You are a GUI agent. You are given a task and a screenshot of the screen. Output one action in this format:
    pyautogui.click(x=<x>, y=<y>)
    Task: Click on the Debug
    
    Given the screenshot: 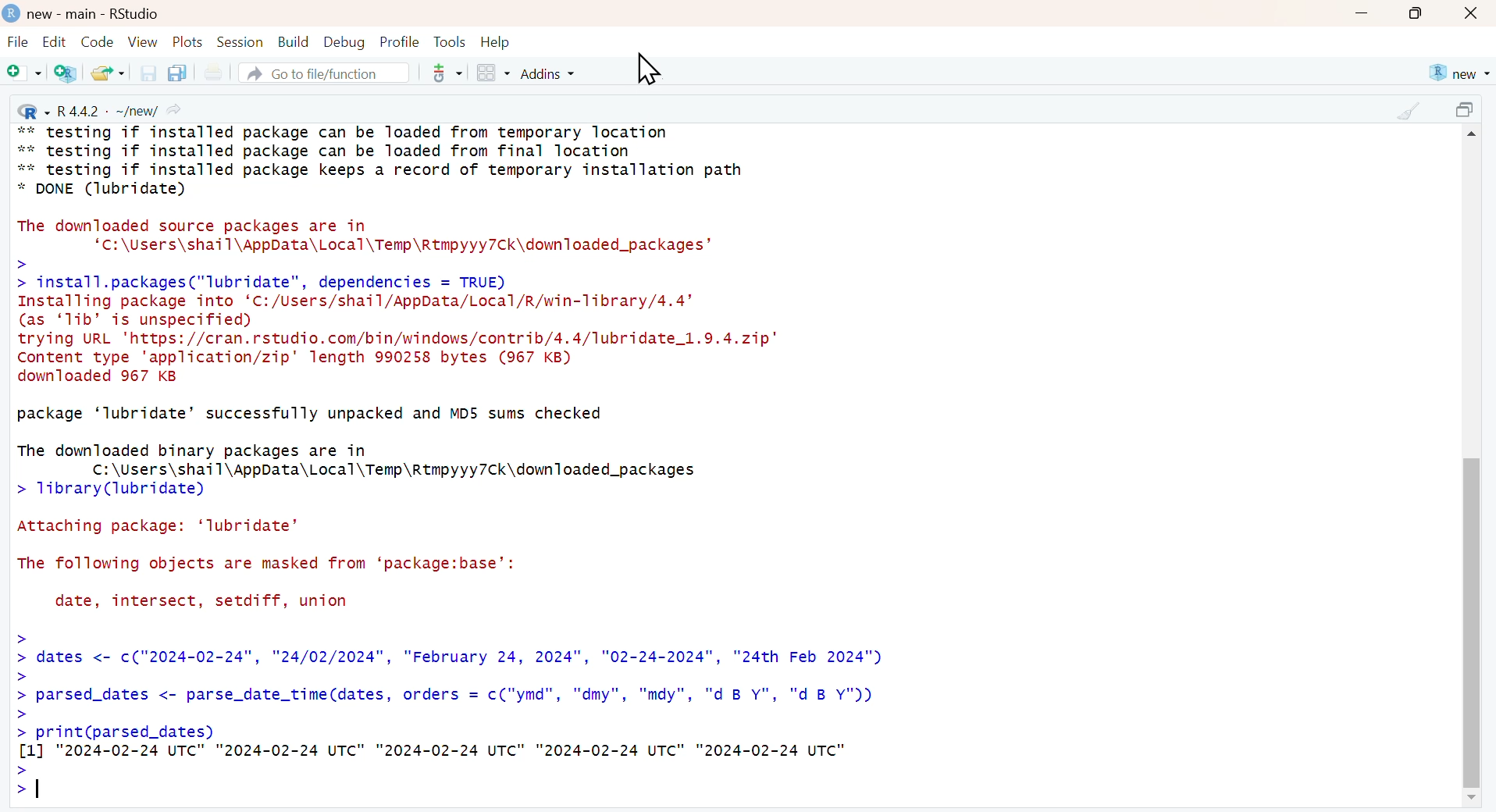 What is the action you would take?
    pyautogui.click(x=343, y=41)
    